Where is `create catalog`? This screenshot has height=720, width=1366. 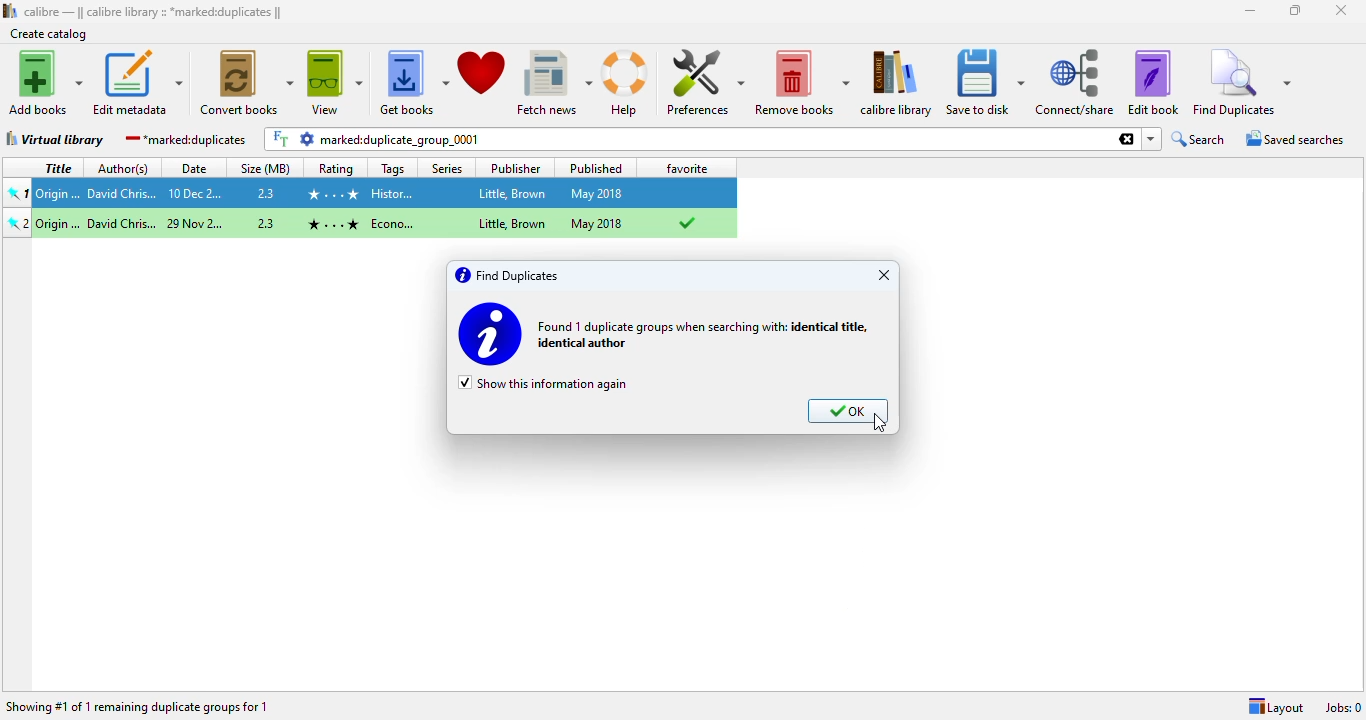 create catalog is located at coordinates (50, 34).